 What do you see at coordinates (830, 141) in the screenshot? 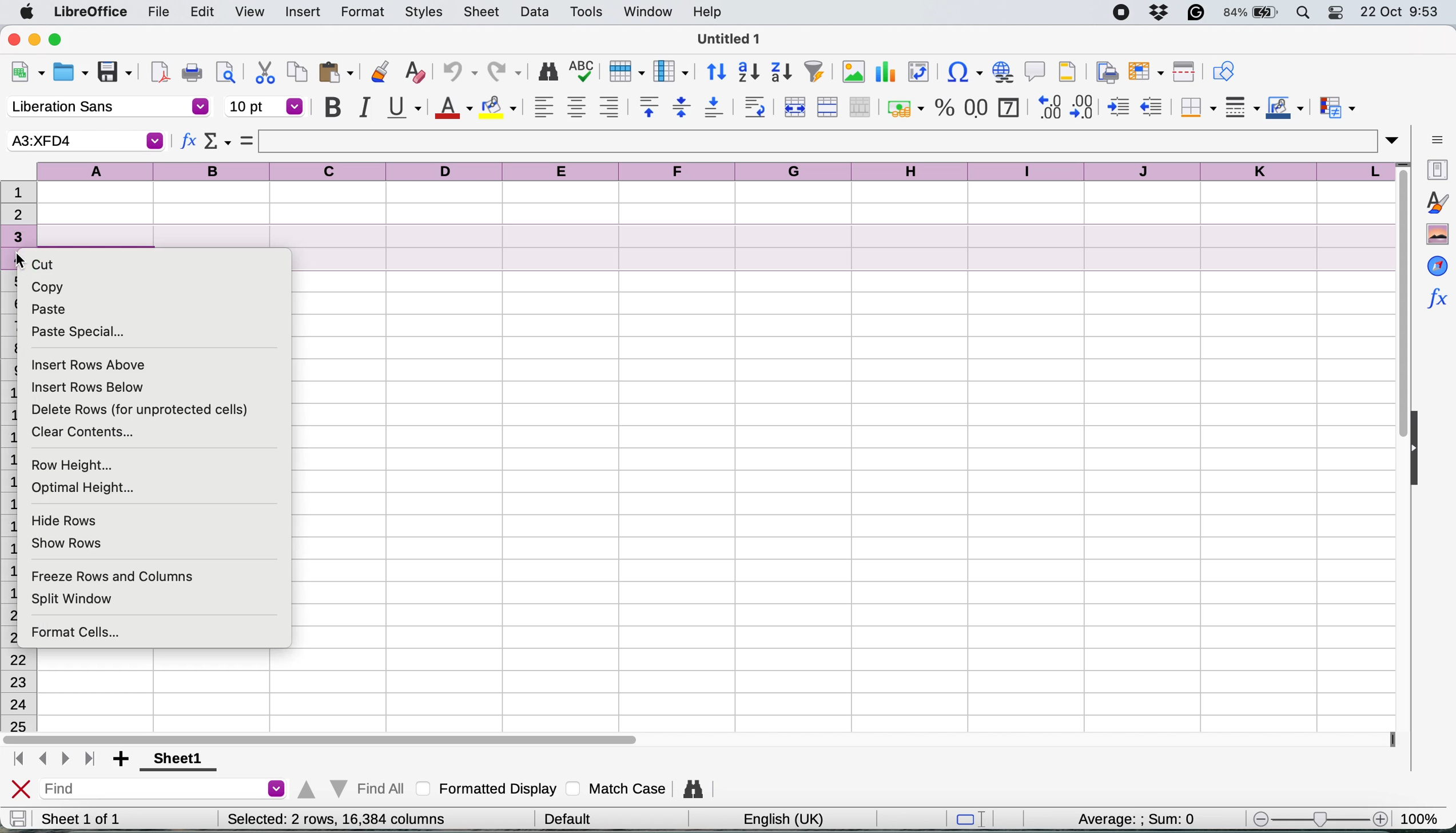
I see `formula bar` at bounding box center [830, 141].